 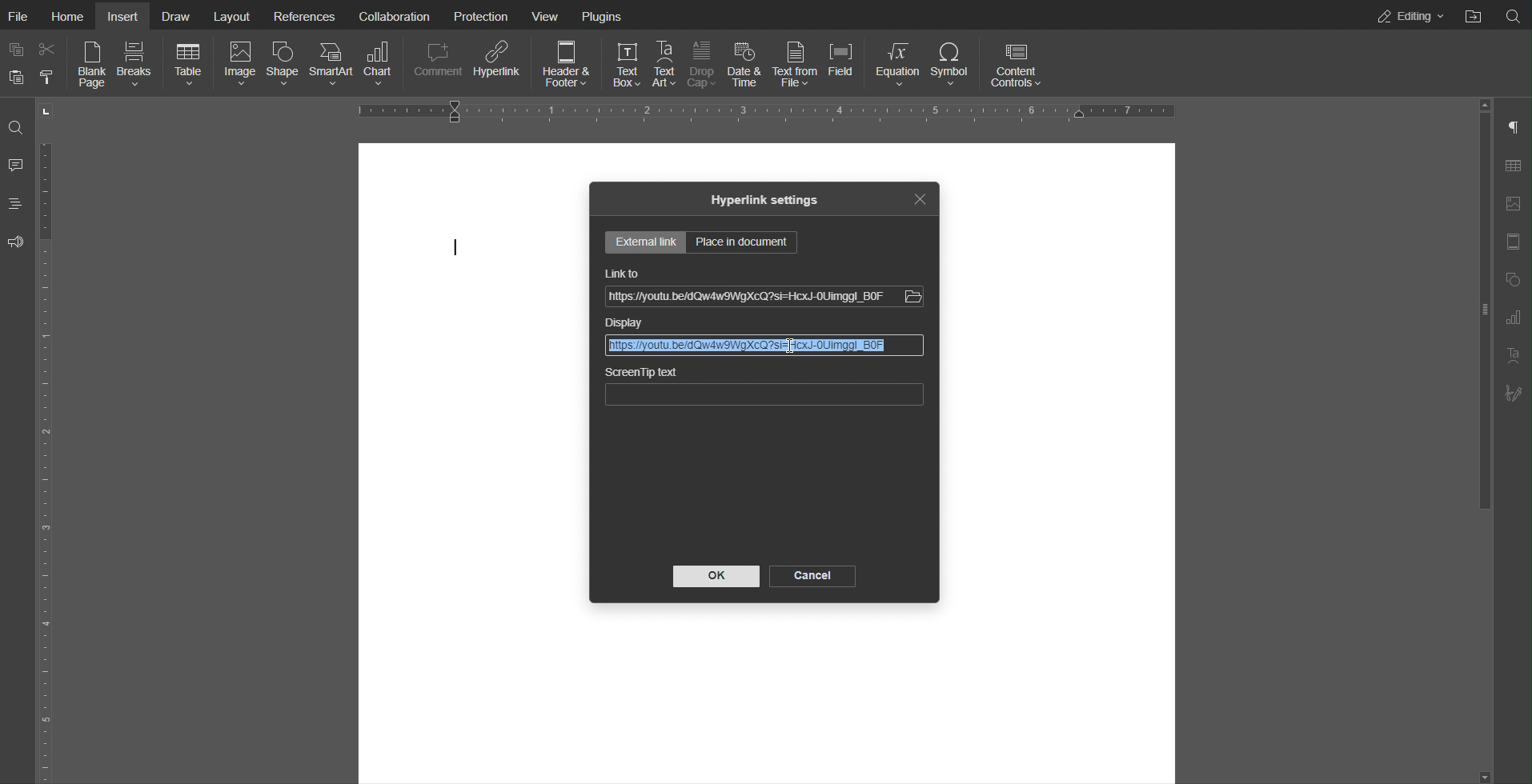 What do you see at coordinates (22, 16) in the screenshot?
I see `File` at bounding box center [22, 16].